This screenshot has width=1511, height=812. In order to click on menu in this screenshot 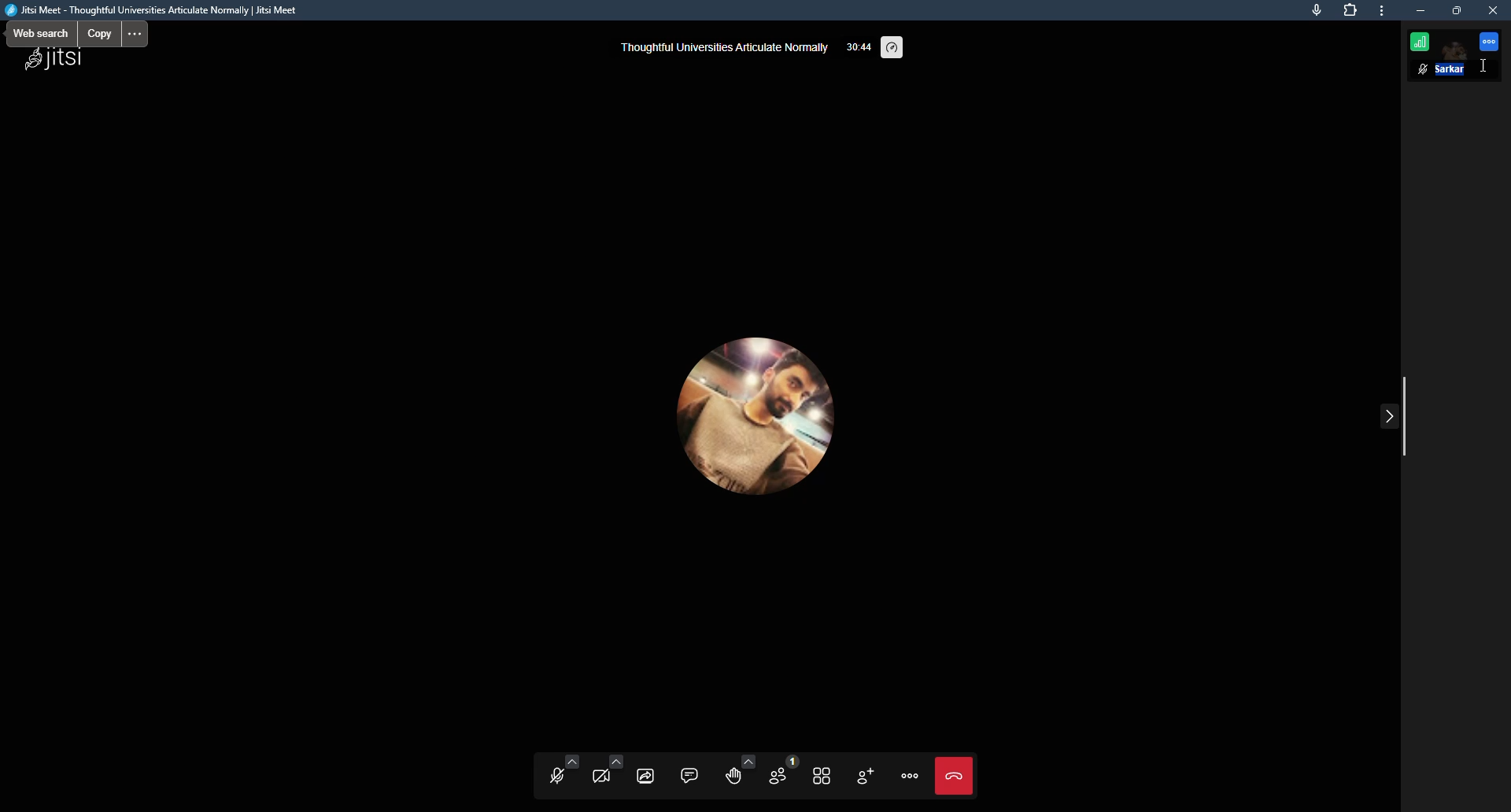, I will do `click(138, 37)`.